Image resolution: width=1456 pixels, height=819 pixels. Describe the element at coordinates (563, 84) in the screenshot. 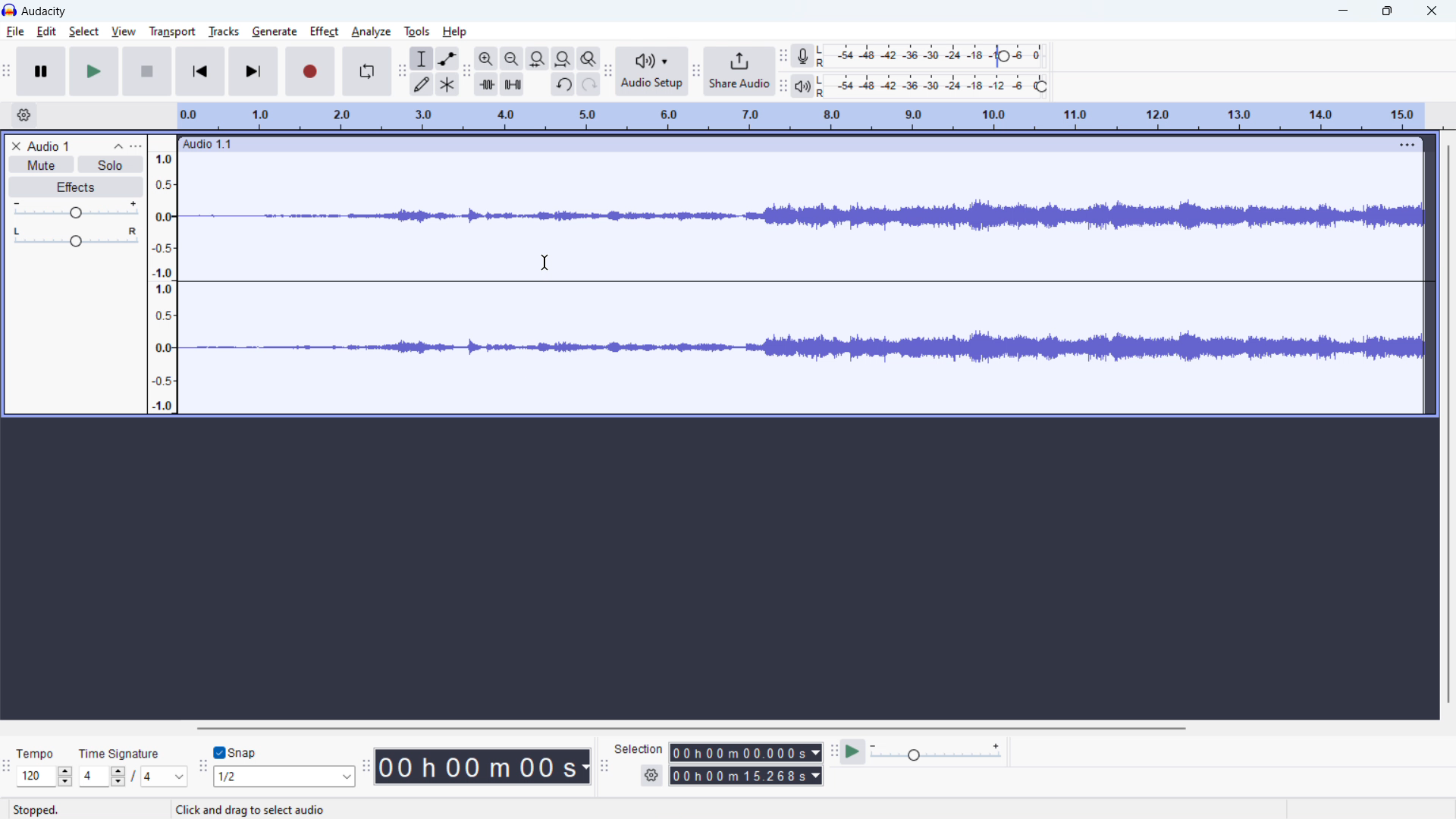

I see `undo` at that location.